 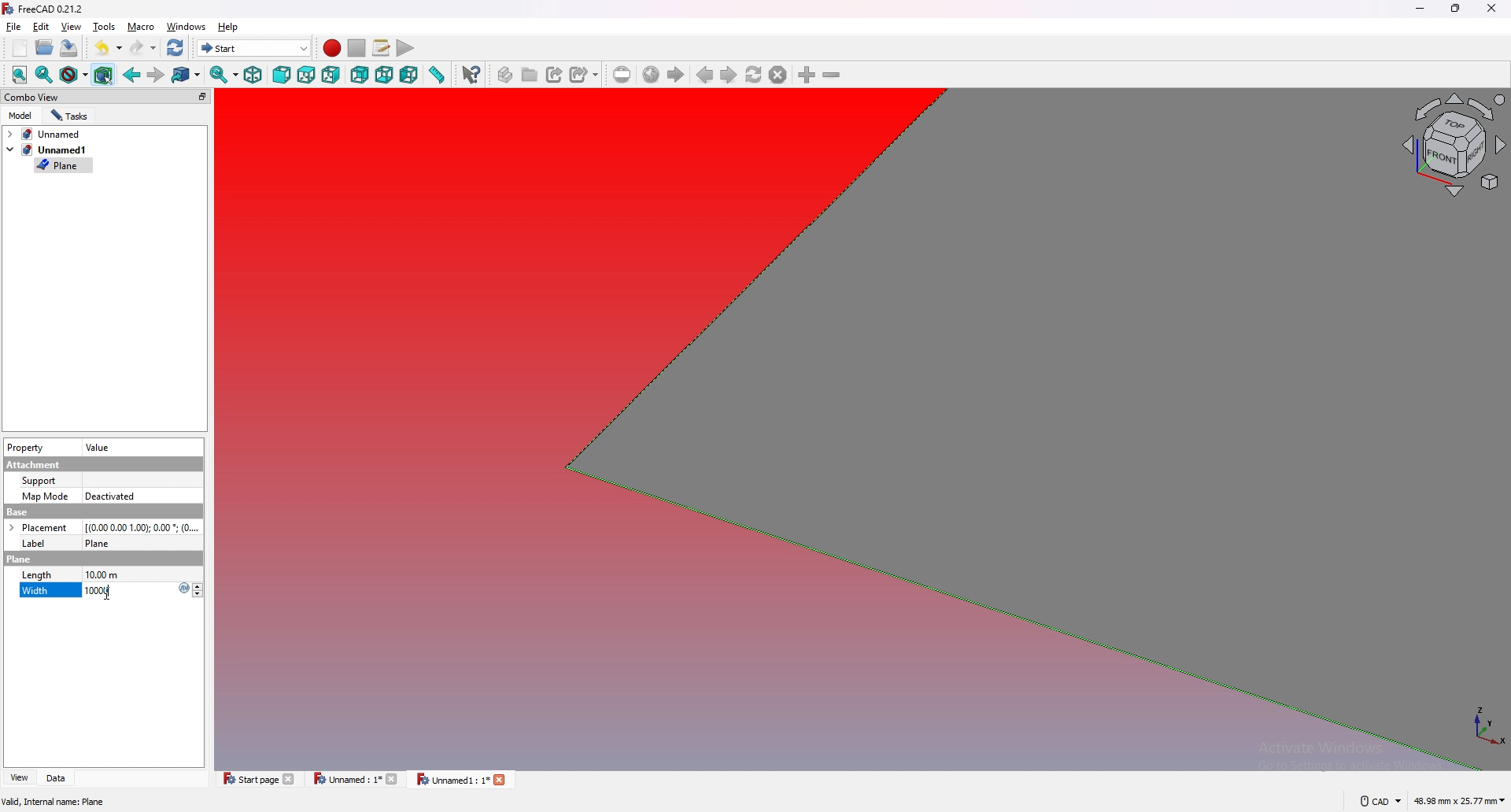 What do you see at coordinates (144, 526) in the screenshot?
I see `[(0.00 0.00 1.00); 0.00 degrees ; (0...` at bounding box center [144, 526].